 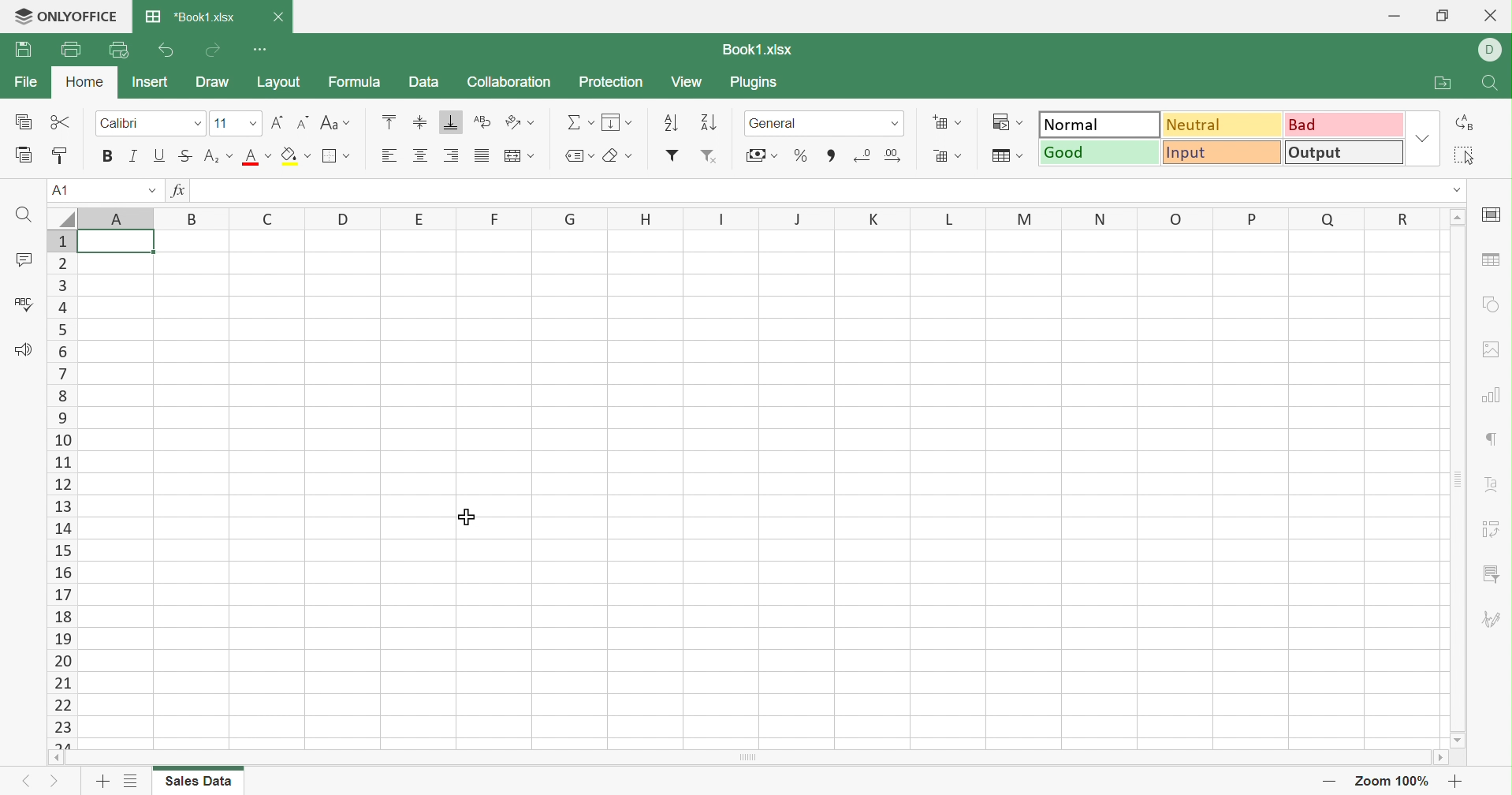 What do you see at coordinates (128, 781) in the screenshot?
I see `List of sheets` at bounding box center [128, 781].